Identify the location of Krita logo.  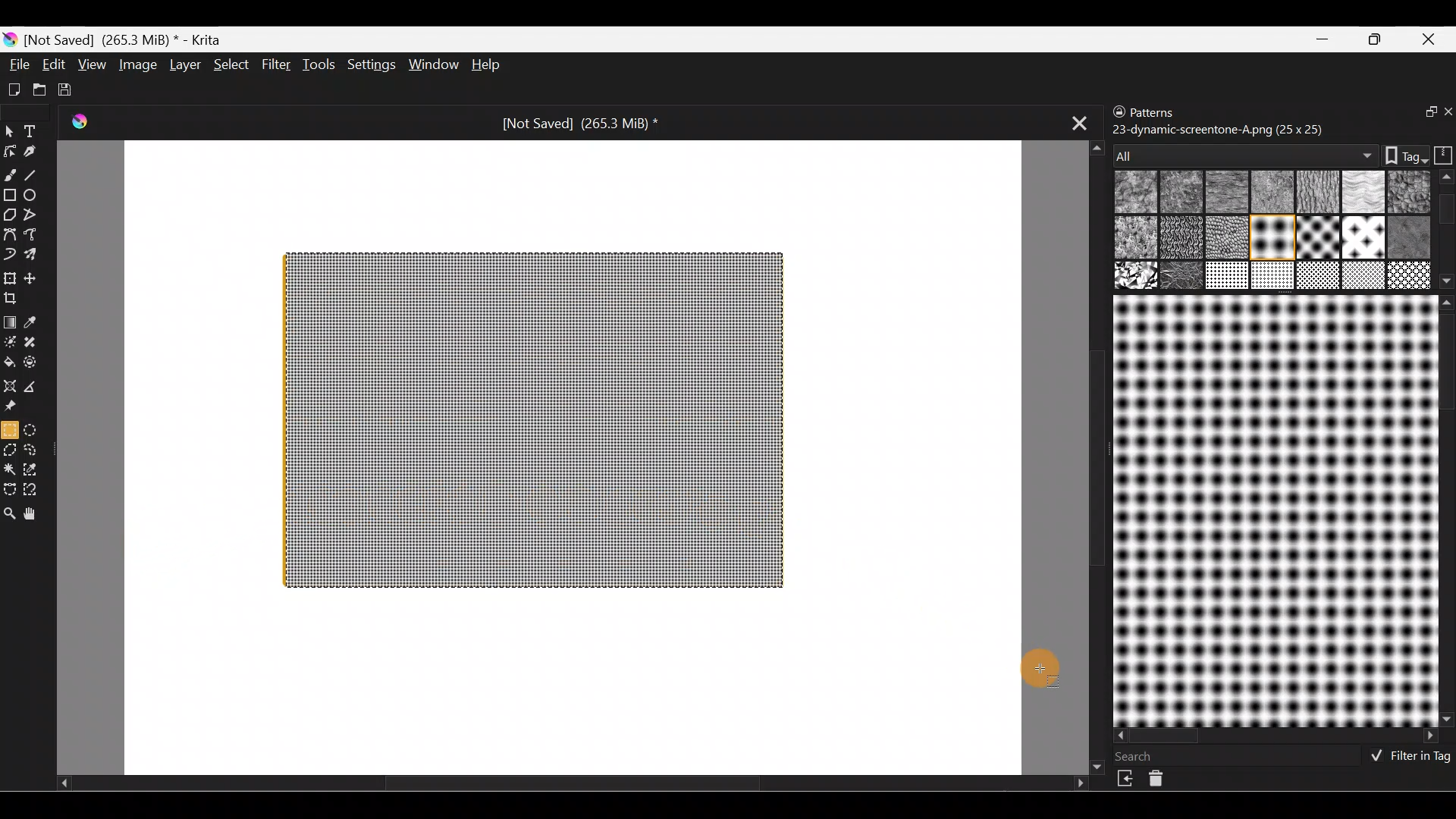
(9, 40).